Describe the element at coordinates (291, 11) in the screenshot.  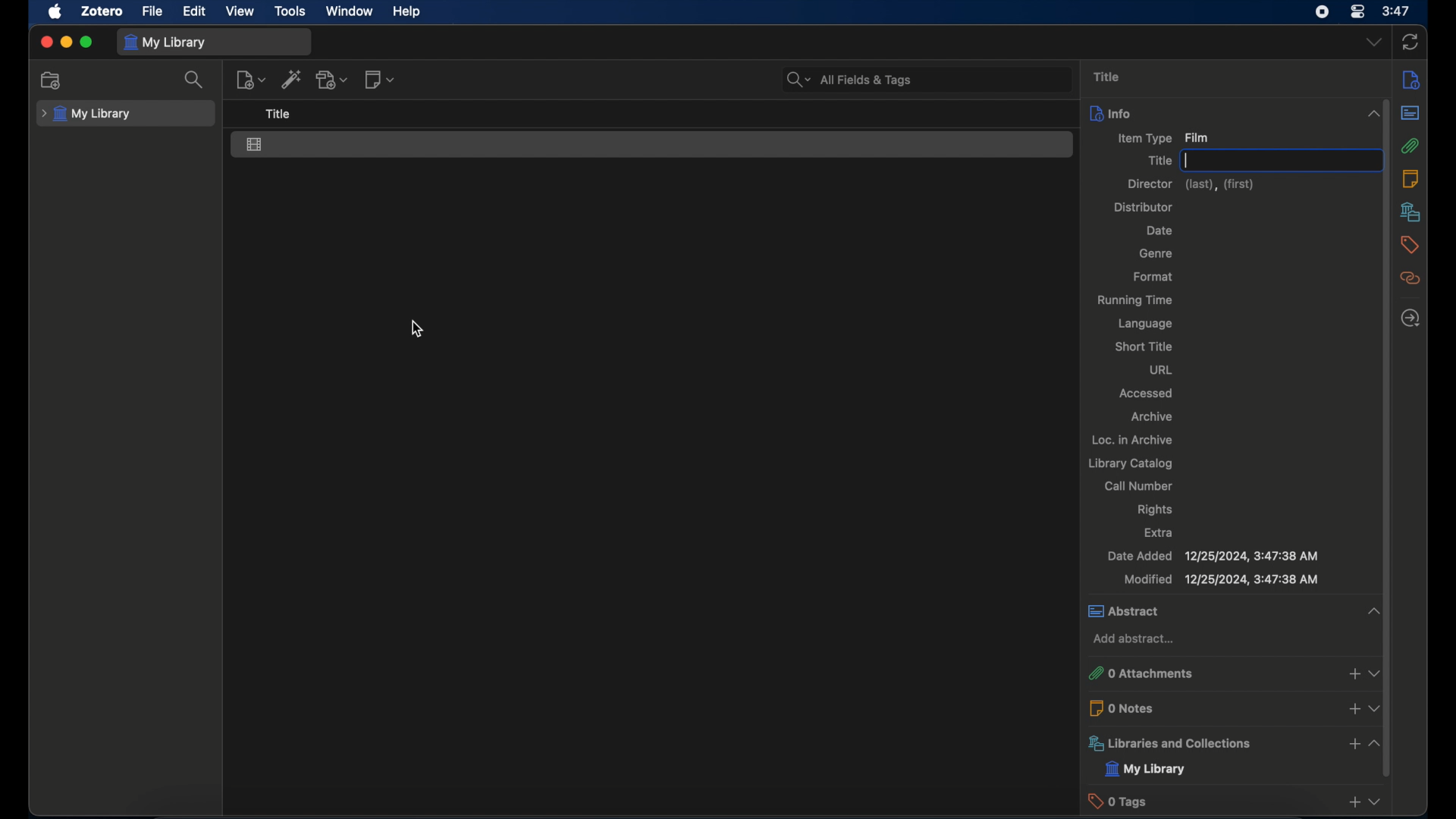
I see `tools` at that location.